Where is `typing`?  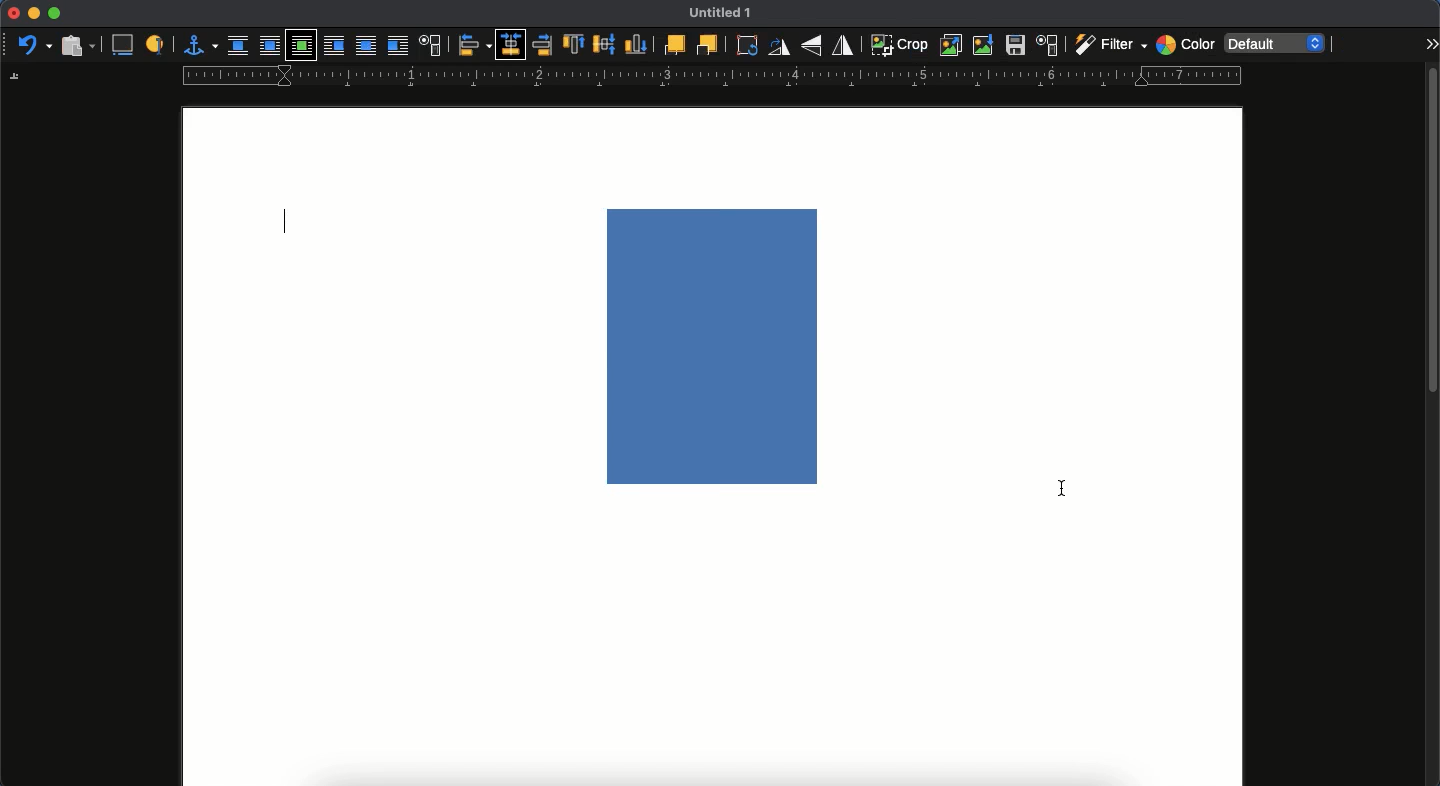 typing is located at coordinates (286, 220).